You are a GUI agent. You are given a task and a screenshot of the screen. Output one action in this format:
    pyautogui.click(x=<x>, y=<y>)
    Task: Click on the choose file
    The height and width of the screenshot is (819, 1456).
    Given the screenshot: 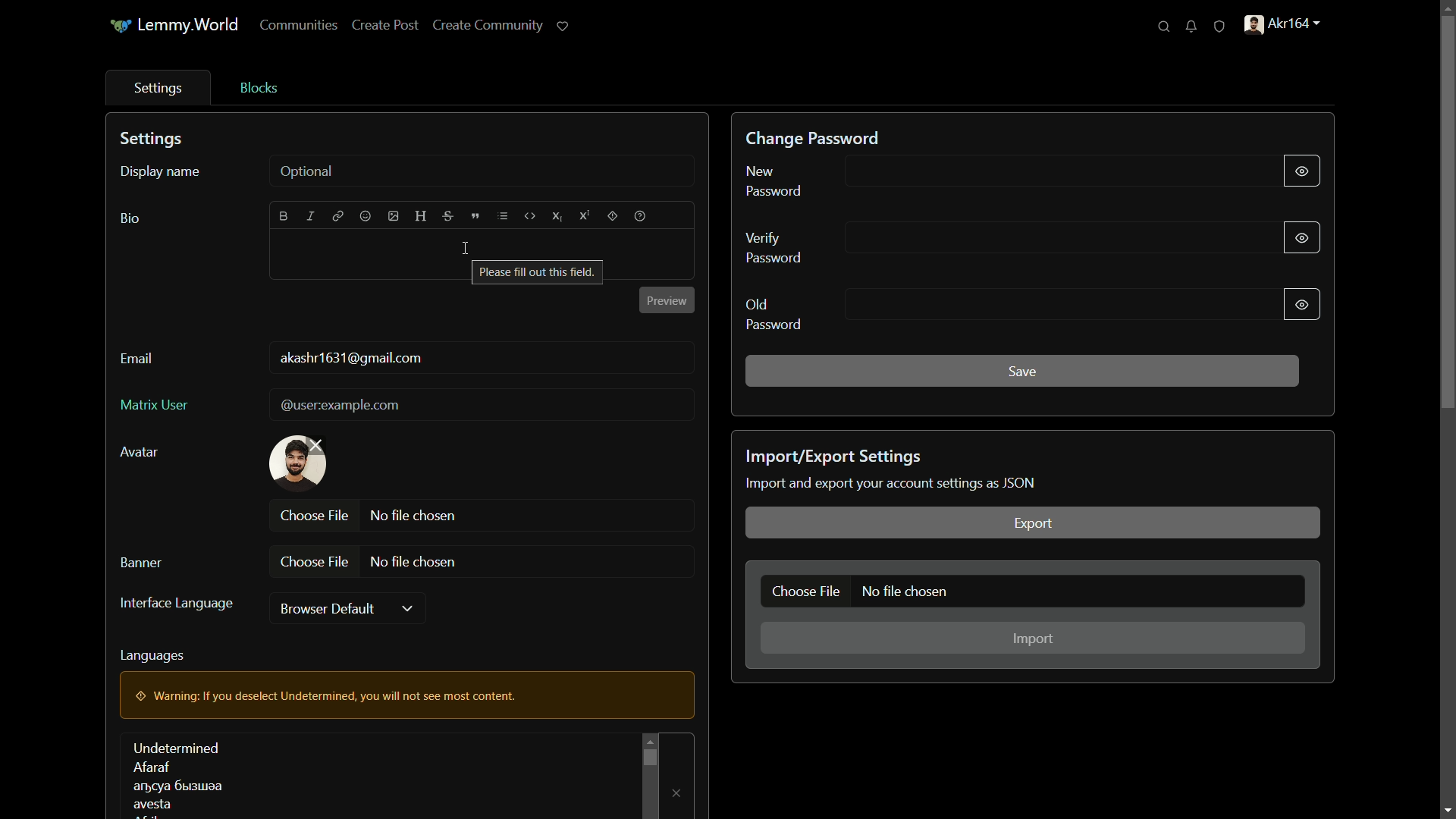 What is the action you would take?
    pyautogui.click(x=315, y=562)
    